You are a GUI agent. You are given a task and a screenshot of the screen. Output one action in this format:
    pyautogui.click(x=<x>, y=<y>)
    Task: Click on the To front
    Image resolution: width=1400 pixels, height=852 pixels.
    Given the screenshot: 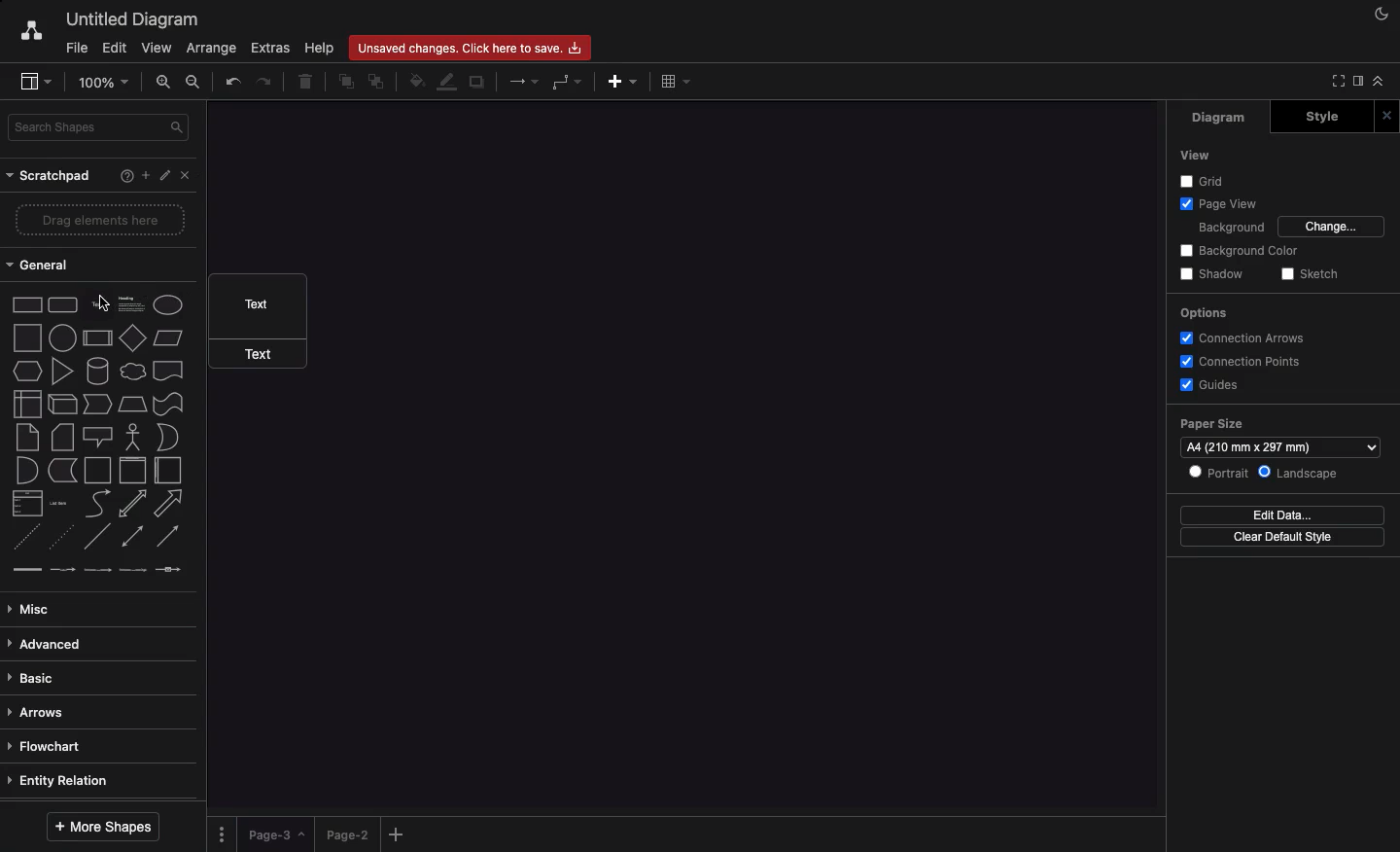 What is the action you would take?
    pyautogui.click(x=347, y=83)
    